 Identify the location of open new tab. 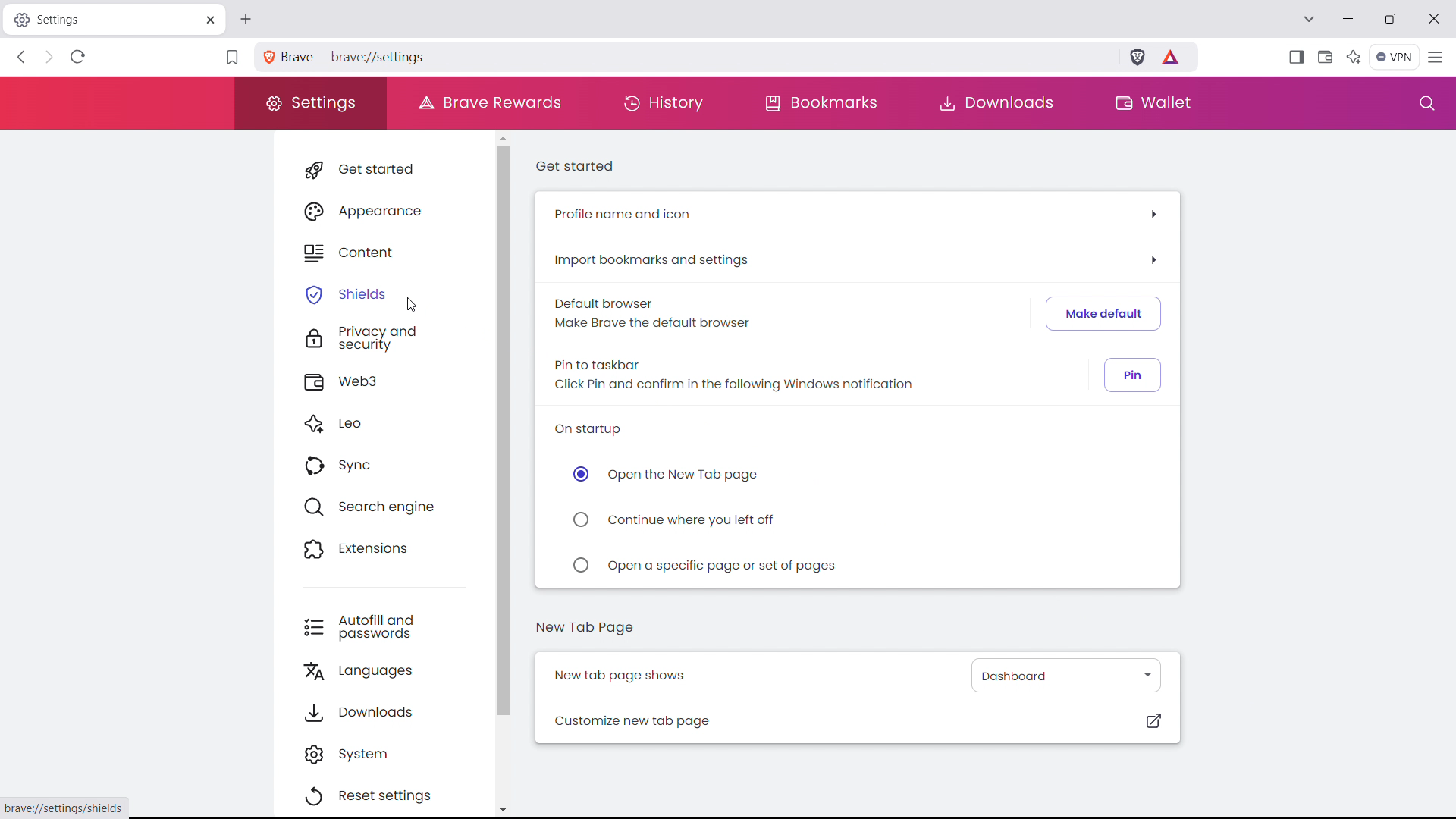
(246, 20).